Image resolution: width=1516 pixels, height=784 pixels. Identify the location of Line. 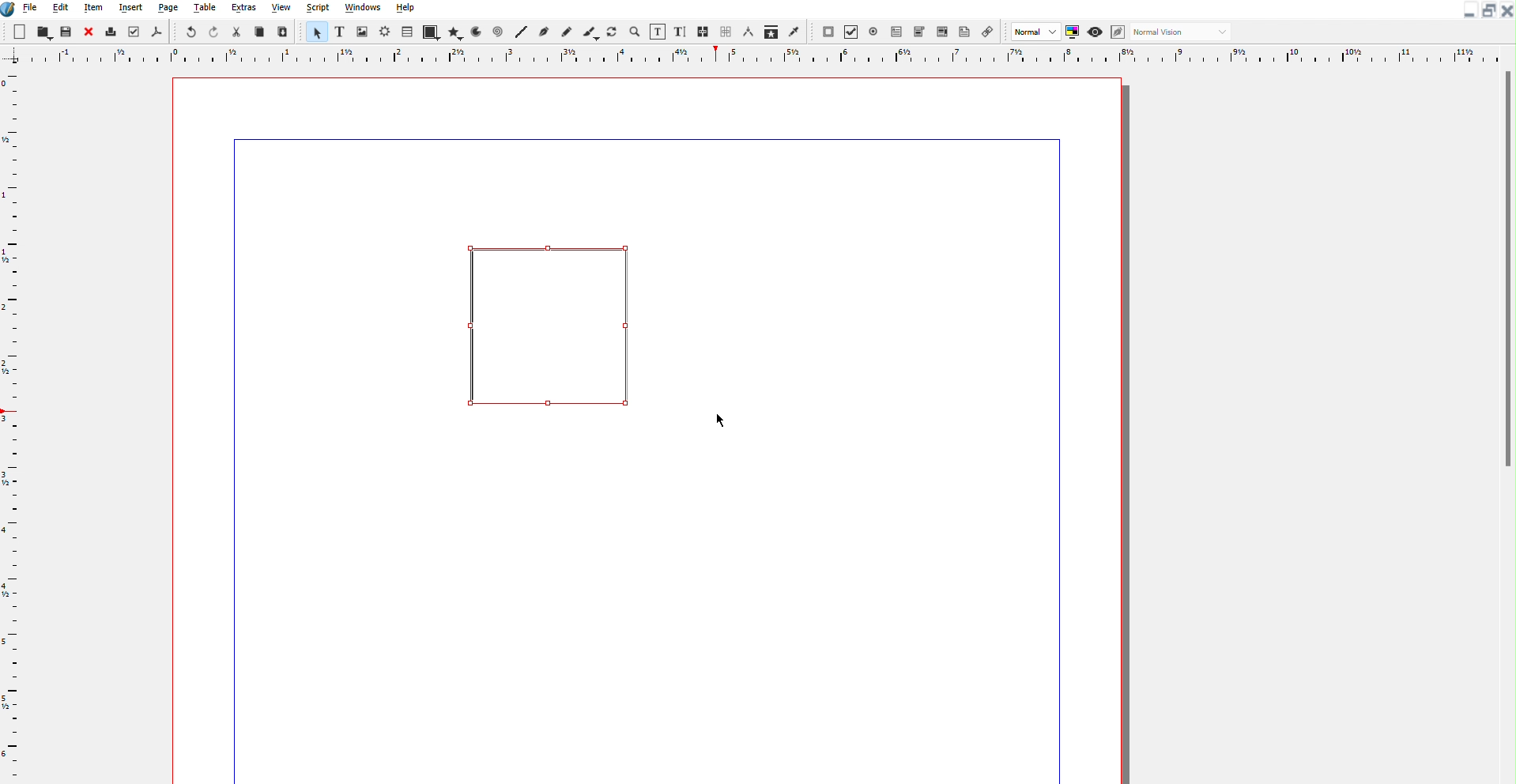
(522, 32).